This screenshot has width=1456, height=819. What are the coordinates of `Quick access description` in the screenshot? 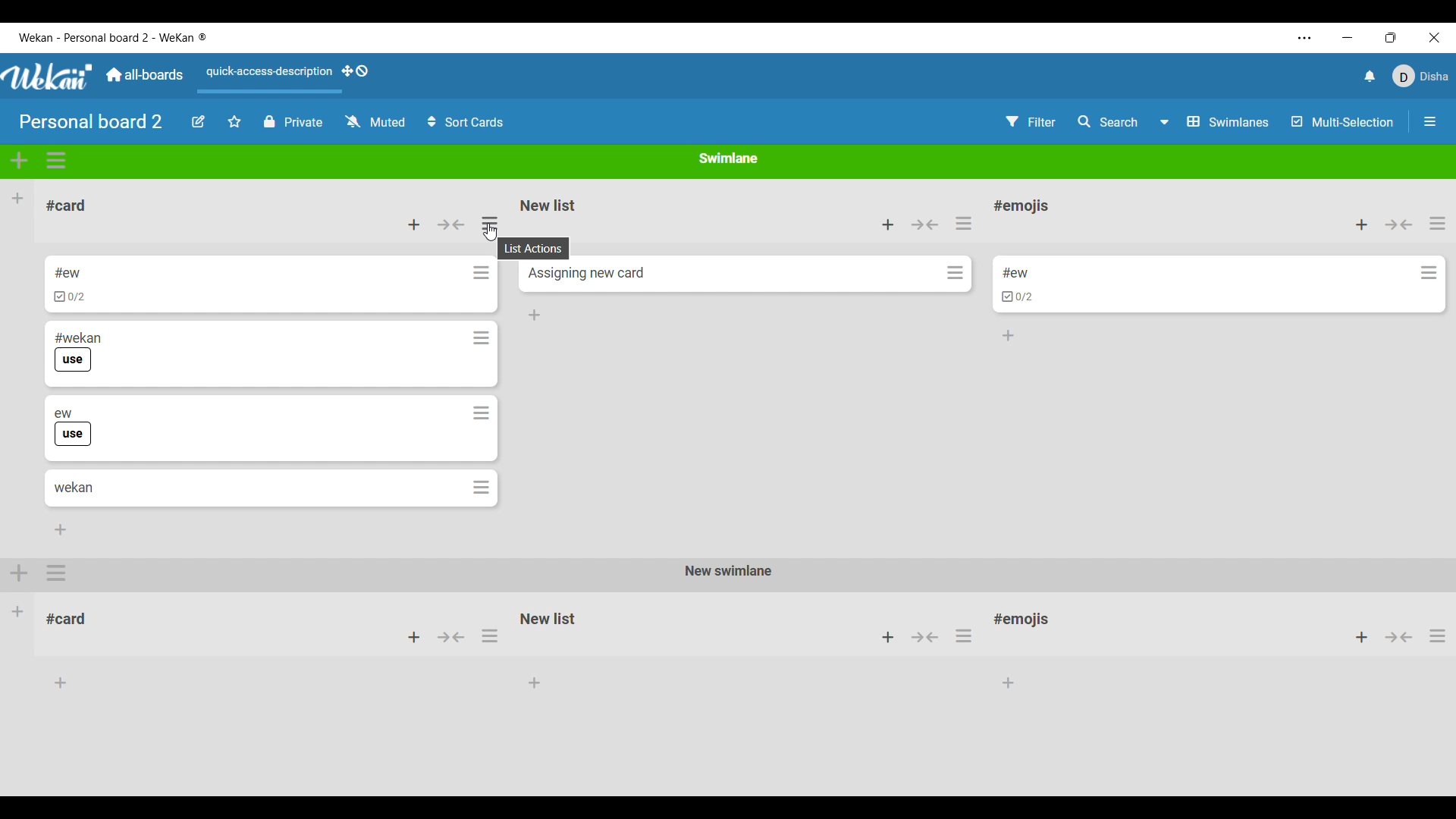 It's located at (267, 78).